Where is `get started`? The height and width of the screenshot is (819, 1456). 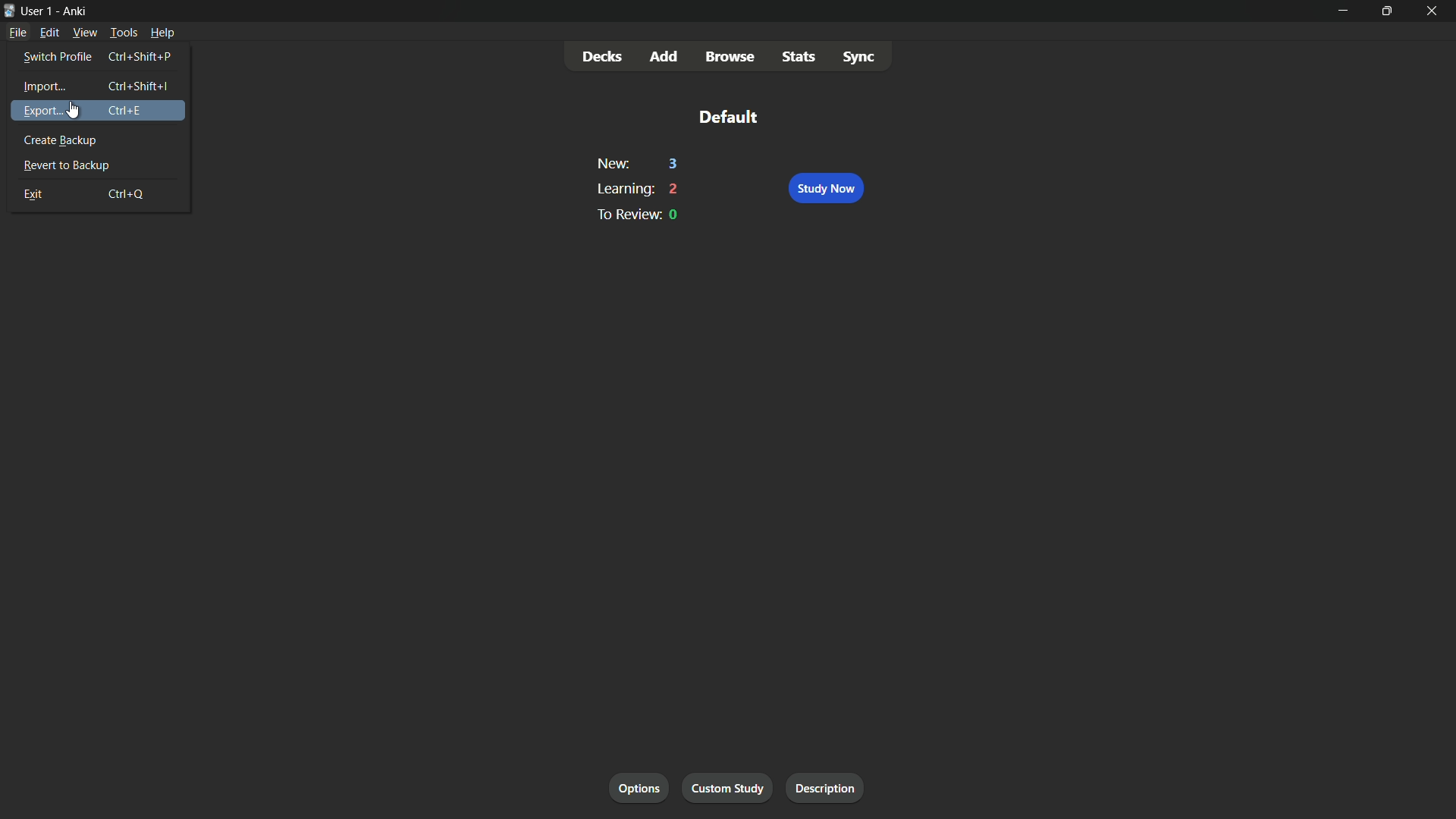 get started is located at coordinates (640, 789).